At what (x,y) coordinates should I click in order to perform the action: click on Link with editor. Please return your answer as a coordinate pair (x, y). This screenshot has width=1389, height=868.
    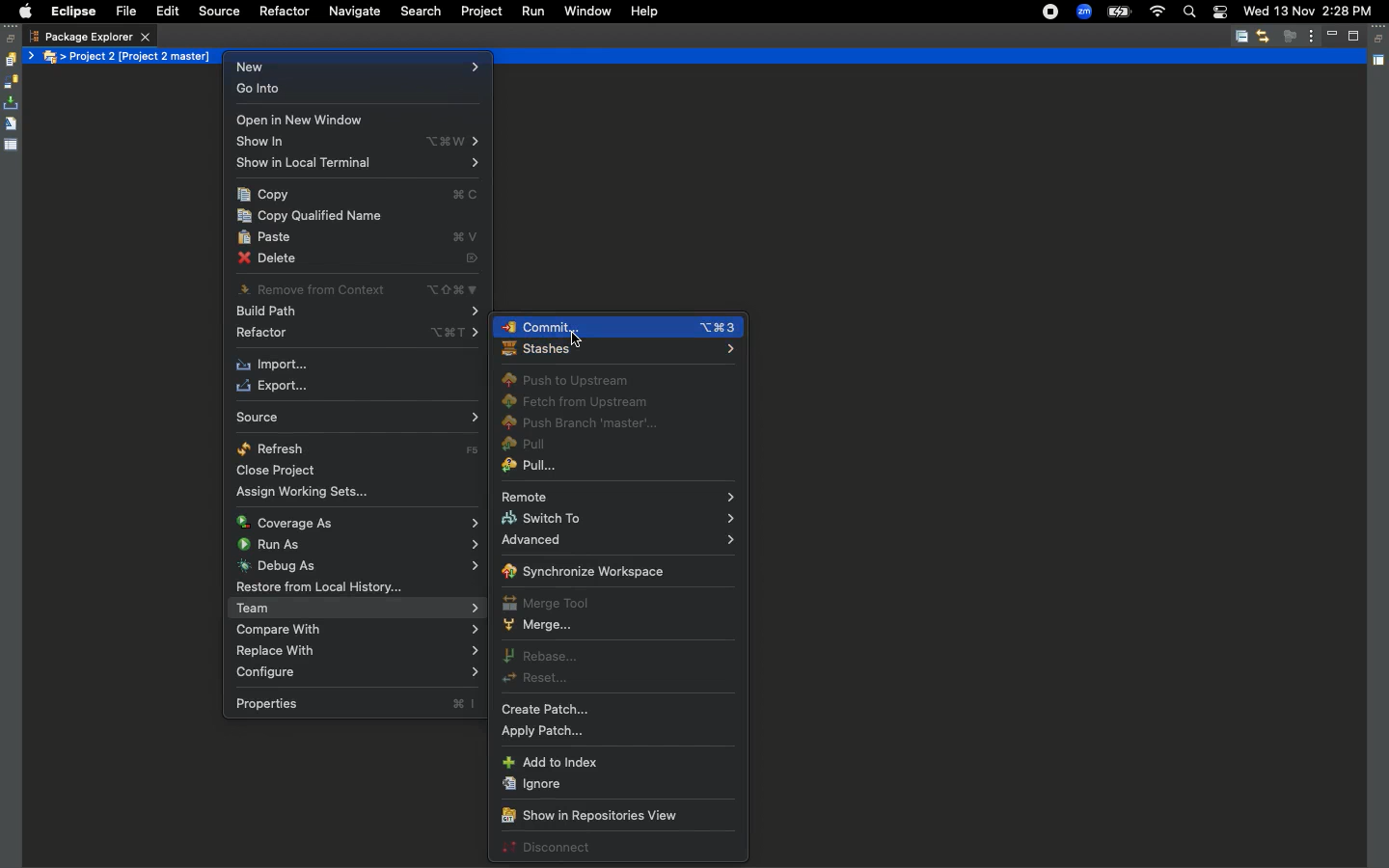
    Looking at the image, I should click on (1263, 36).